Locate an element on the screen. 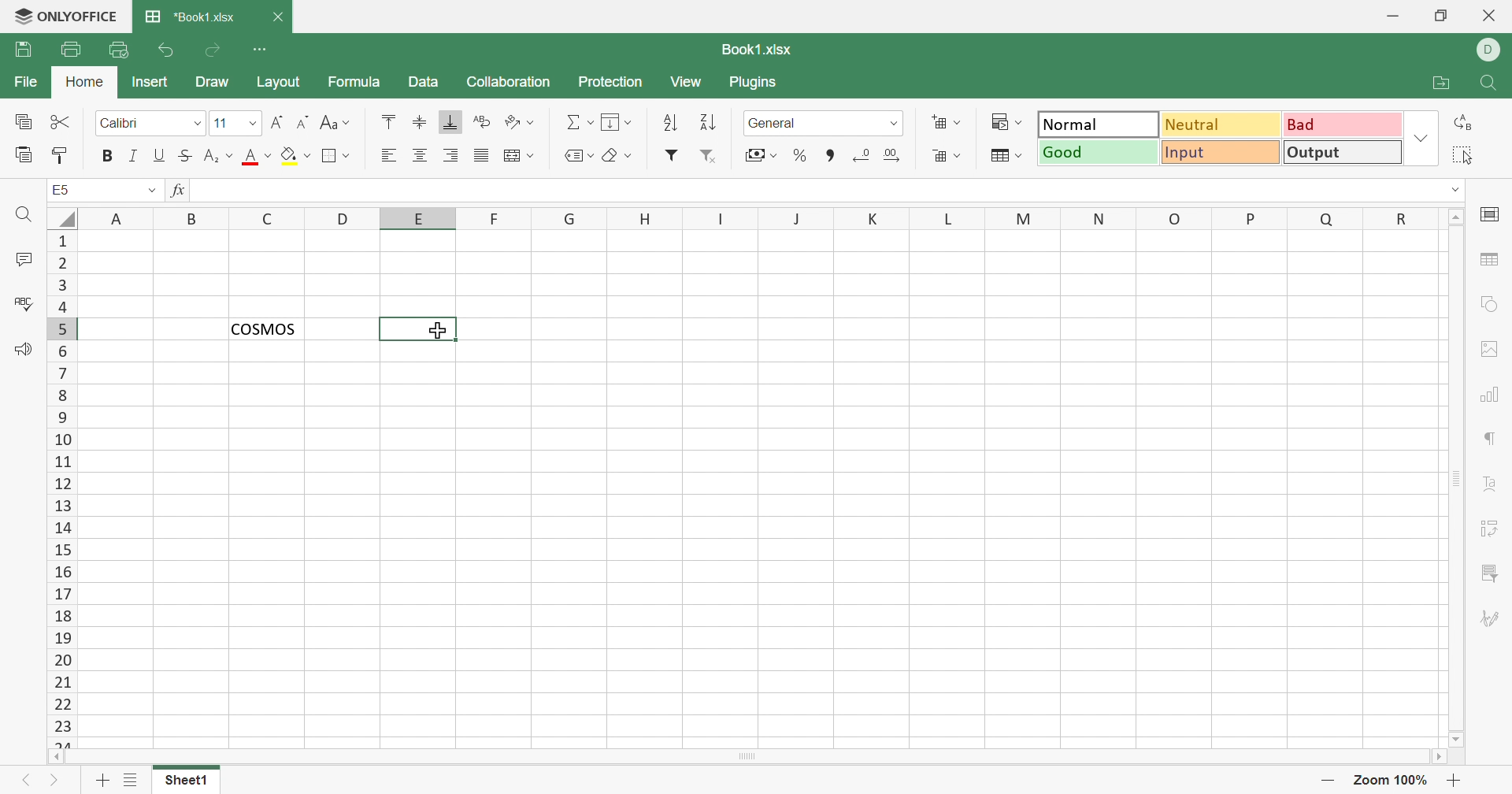 The image size is (1512, 794). View is located at coordinates (688, 83).